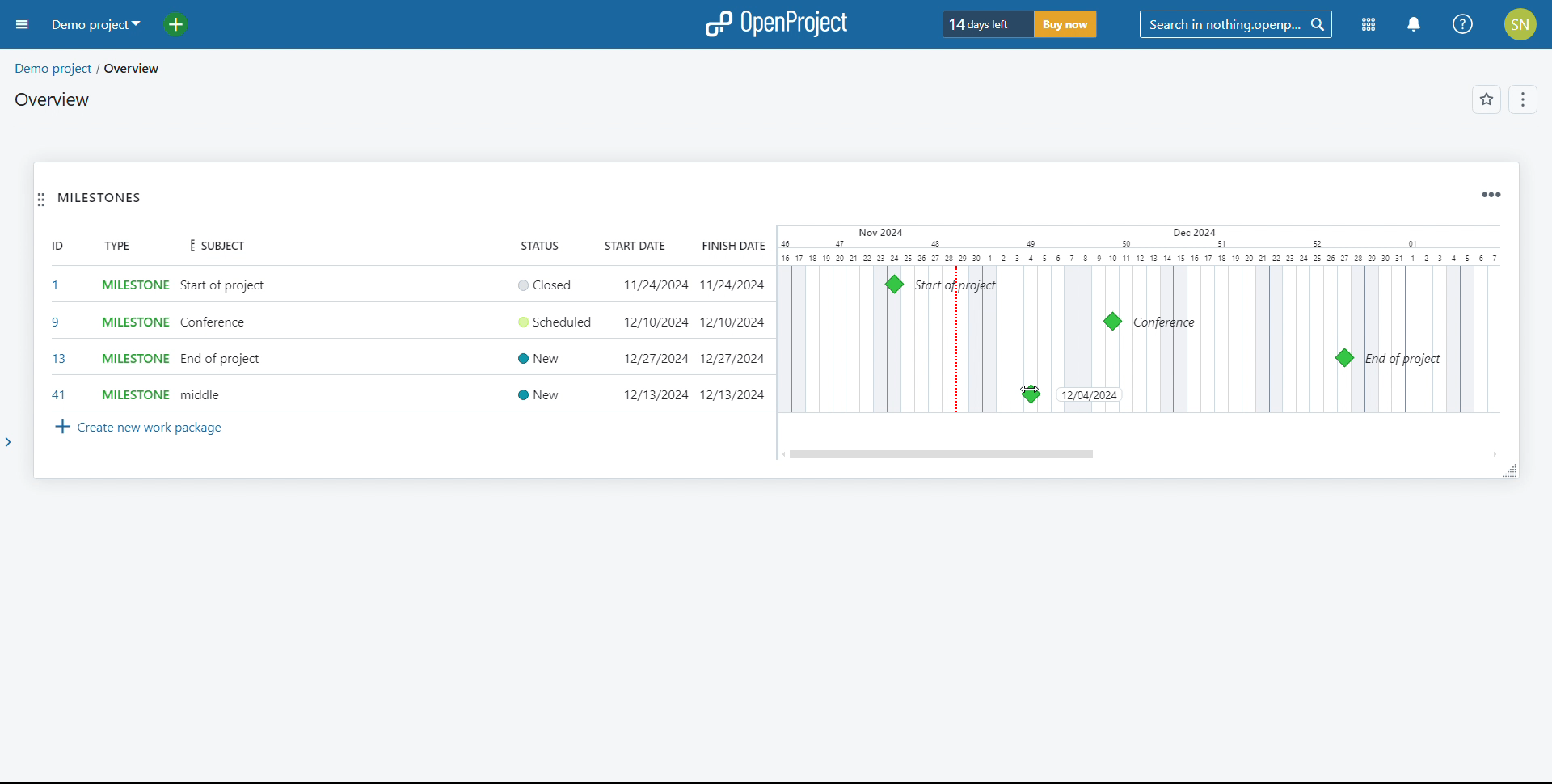 The width and height of the screenshot is (1552, 784). Describe the element at coordinates (1343, 358) in the screenshot. I see `milestone 13` at that location.